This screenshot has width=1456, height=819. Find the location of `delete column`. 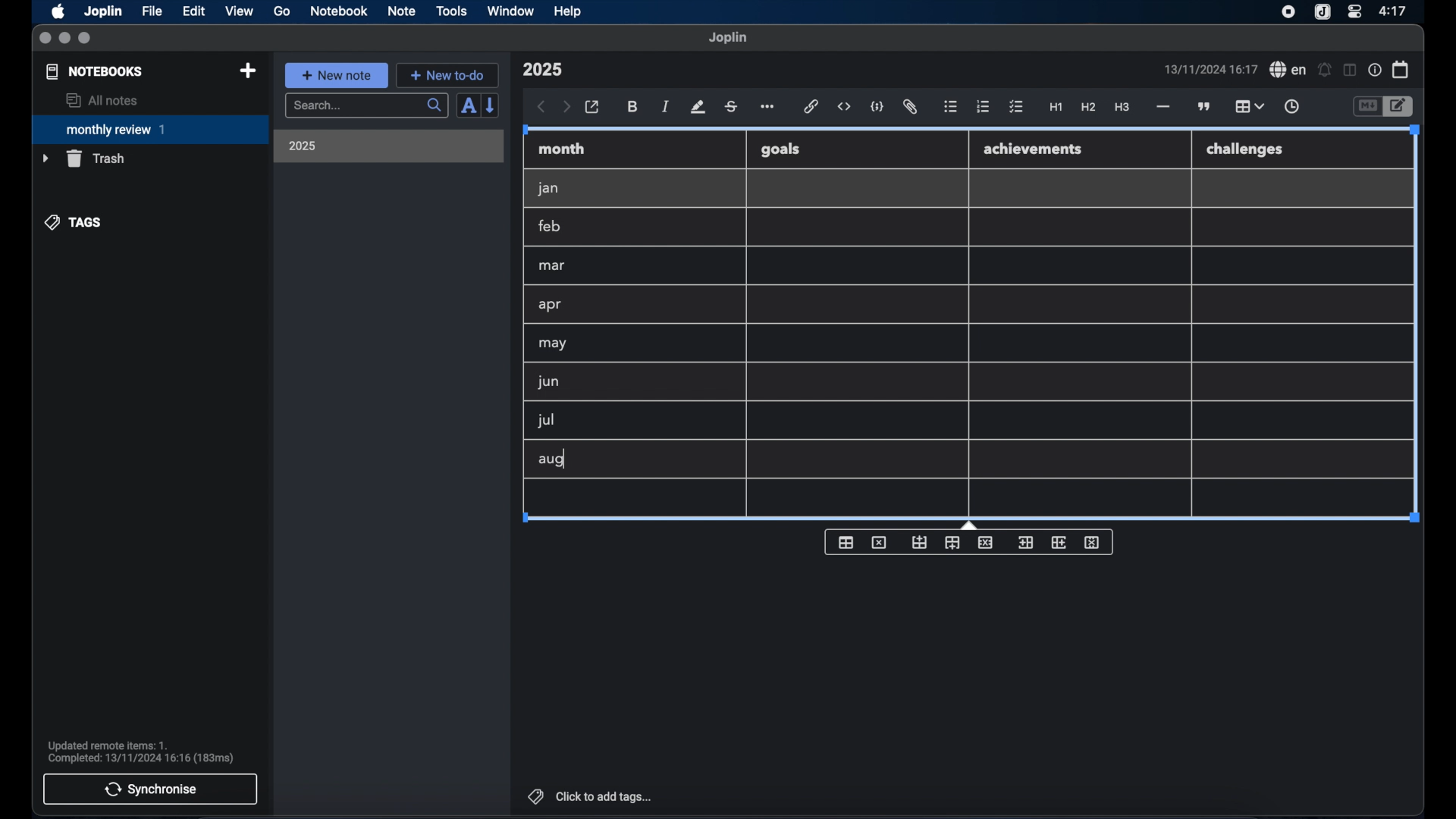

delete column is located at coordinates (1093, 543).